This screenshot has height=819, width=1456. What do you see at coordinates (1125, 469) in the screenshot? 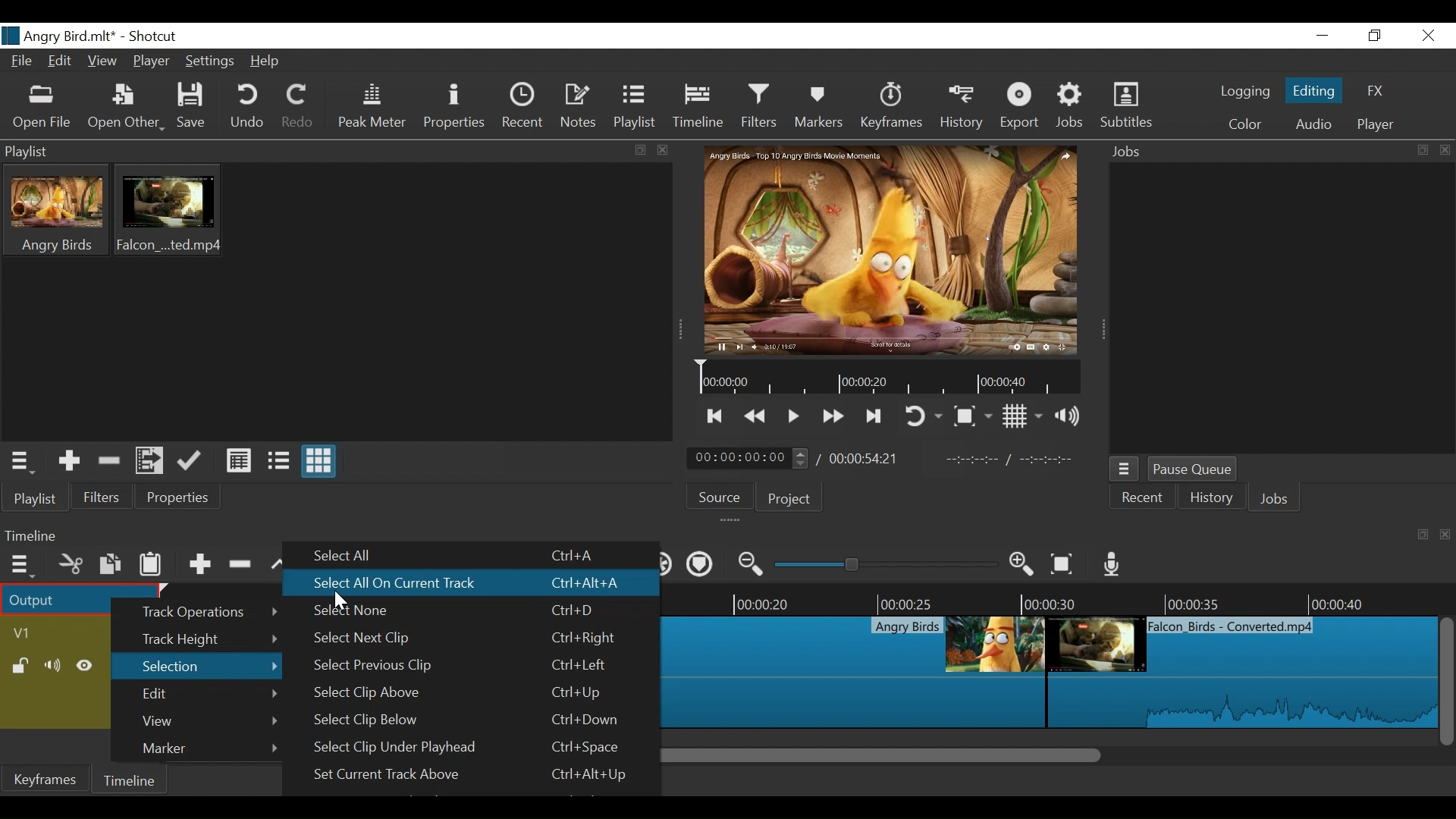
I see `Jobs Menu` at bounding box center [1125, 469].